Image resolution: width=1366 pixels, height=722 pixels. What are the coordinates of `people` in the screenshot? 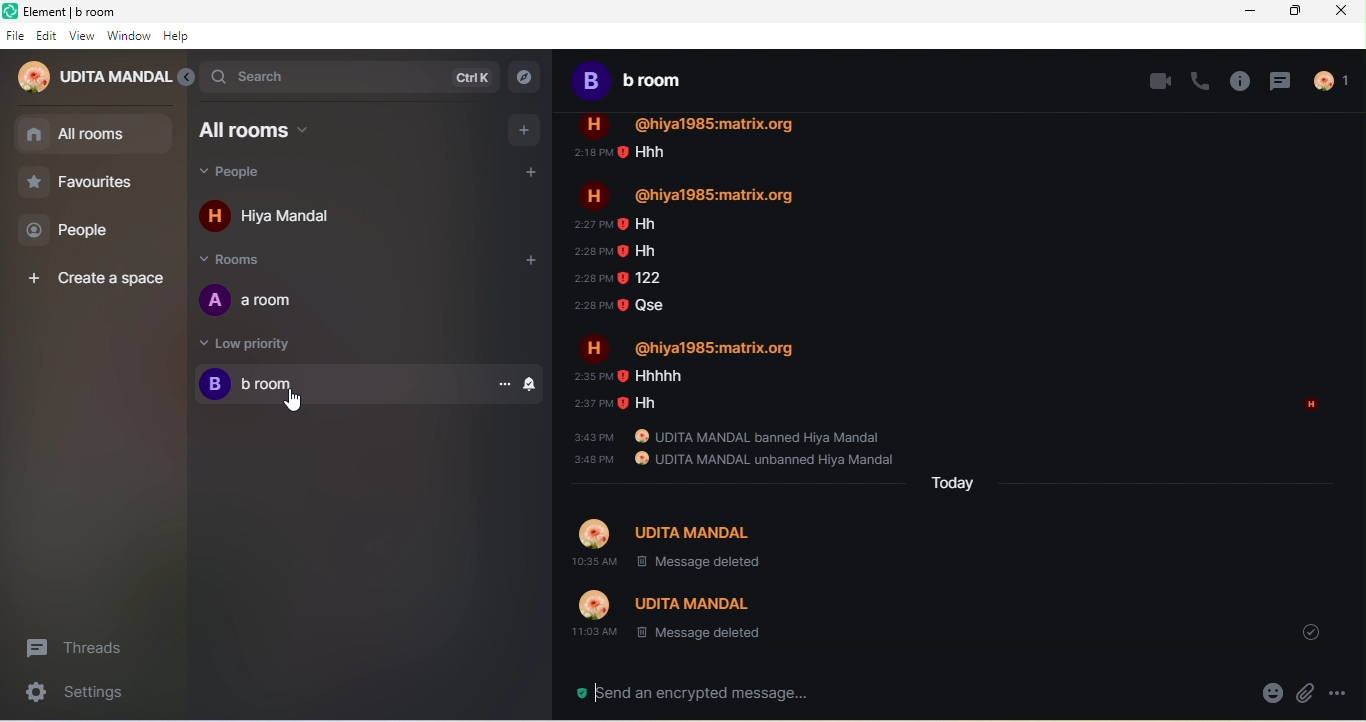 It's located at (254, 174).